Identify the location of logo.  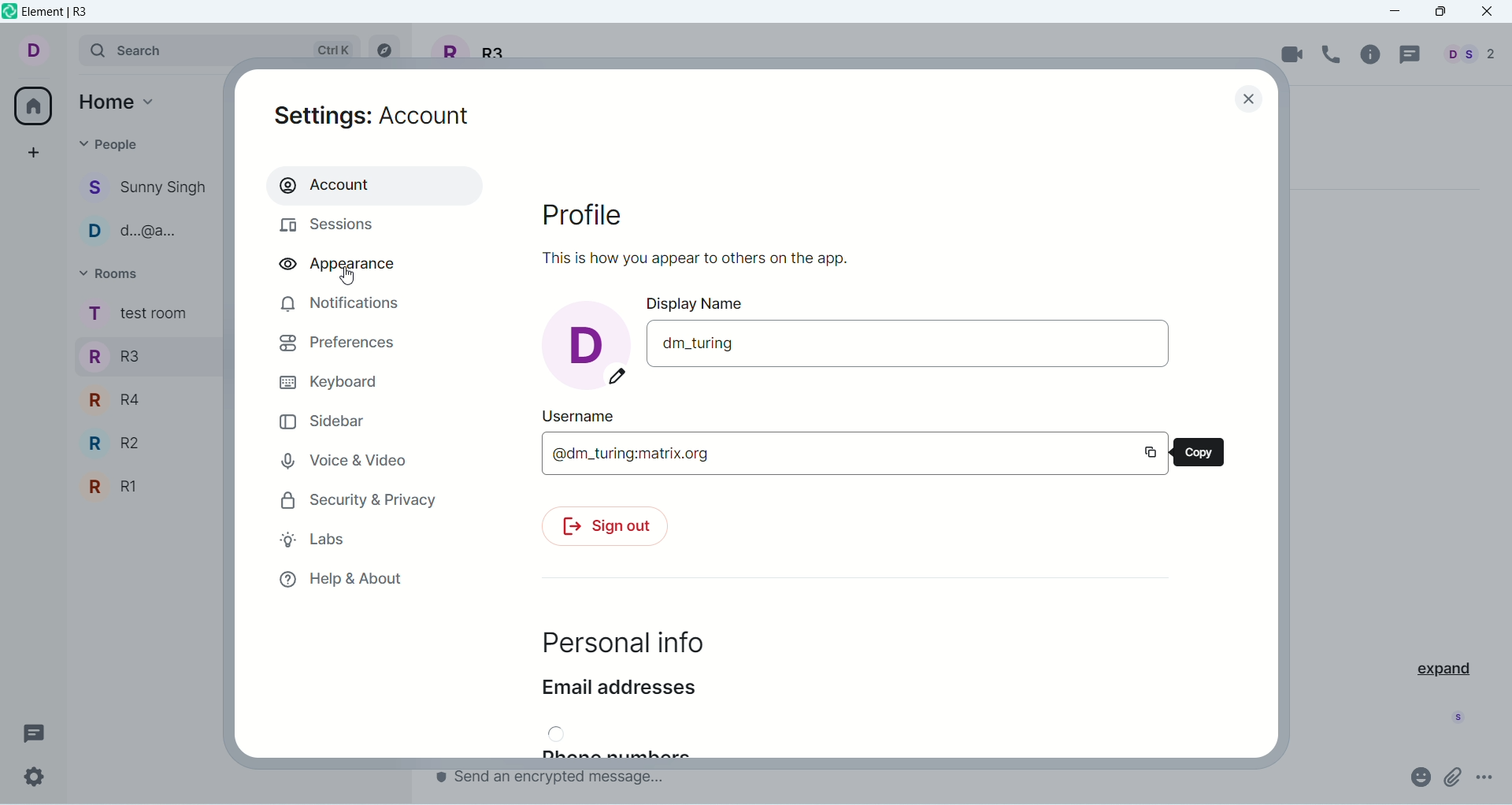
(9, 14).